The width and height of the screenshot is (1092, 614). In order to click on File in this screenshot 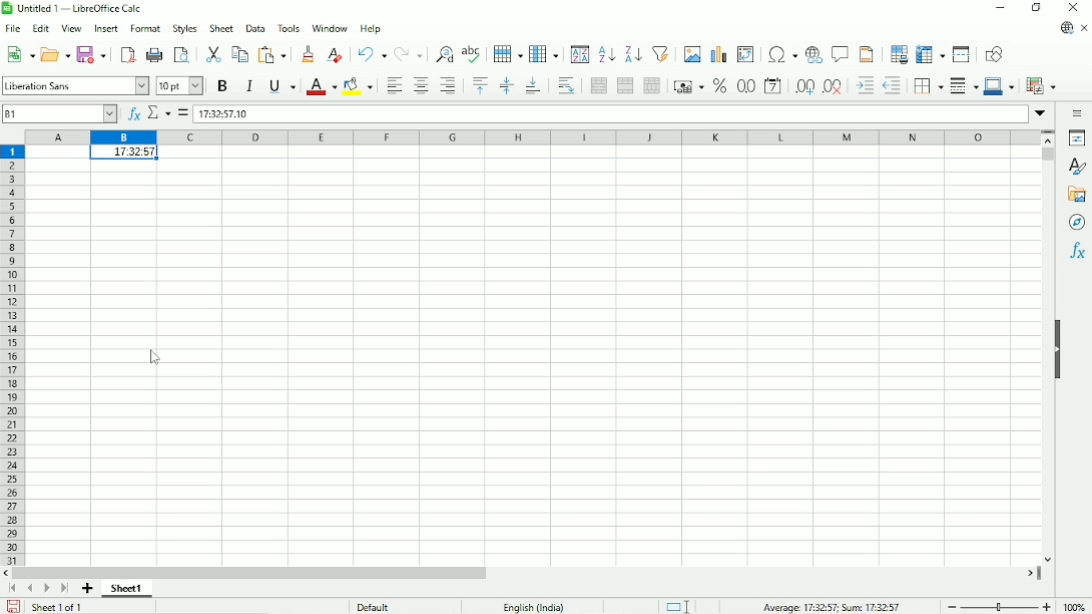, I will do `click(13, 28)`.